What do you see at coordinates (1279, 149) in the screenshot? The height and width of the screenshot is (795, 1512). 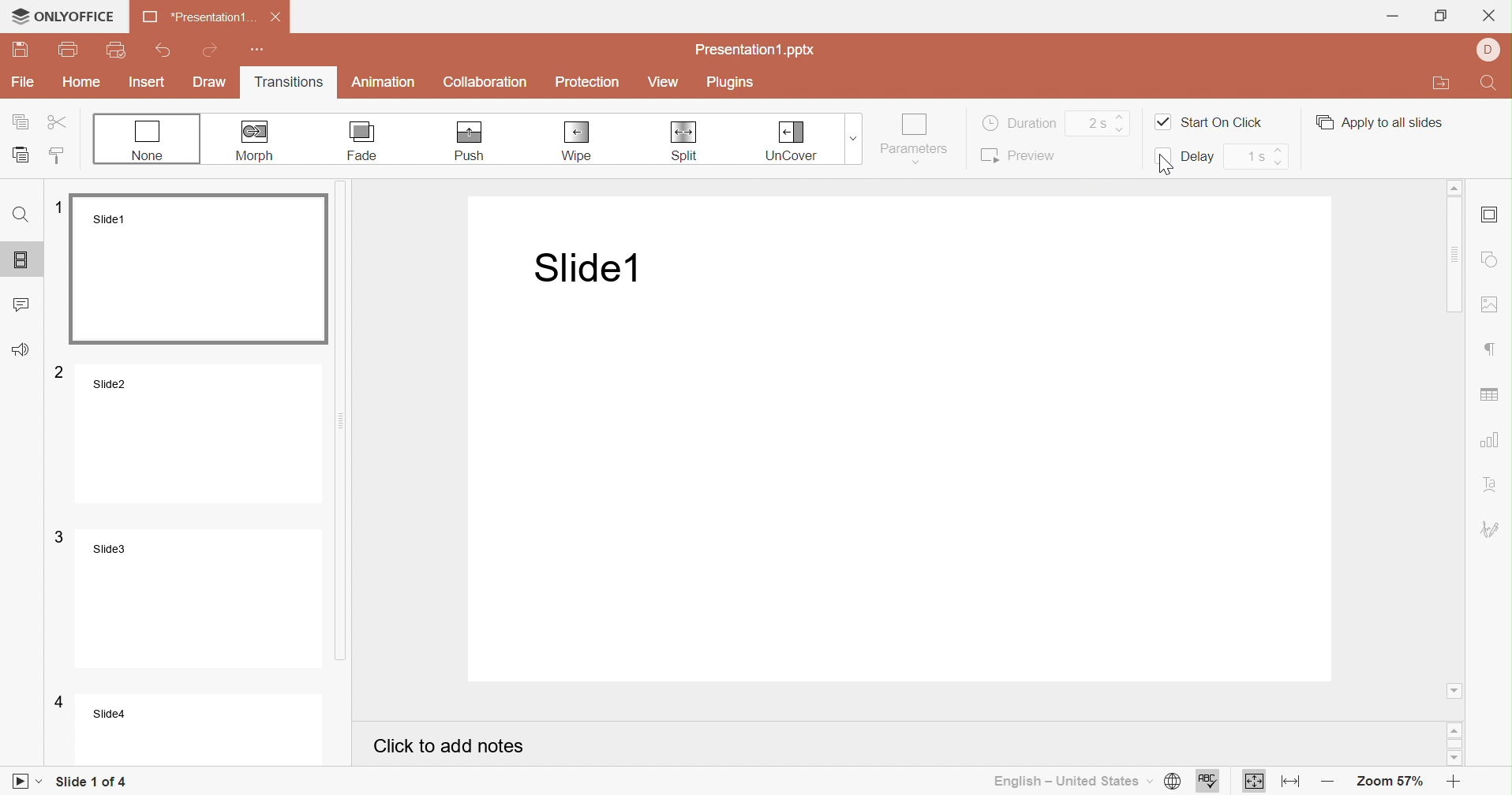 I see `Increase delay` at bounding box center [1279, 149].